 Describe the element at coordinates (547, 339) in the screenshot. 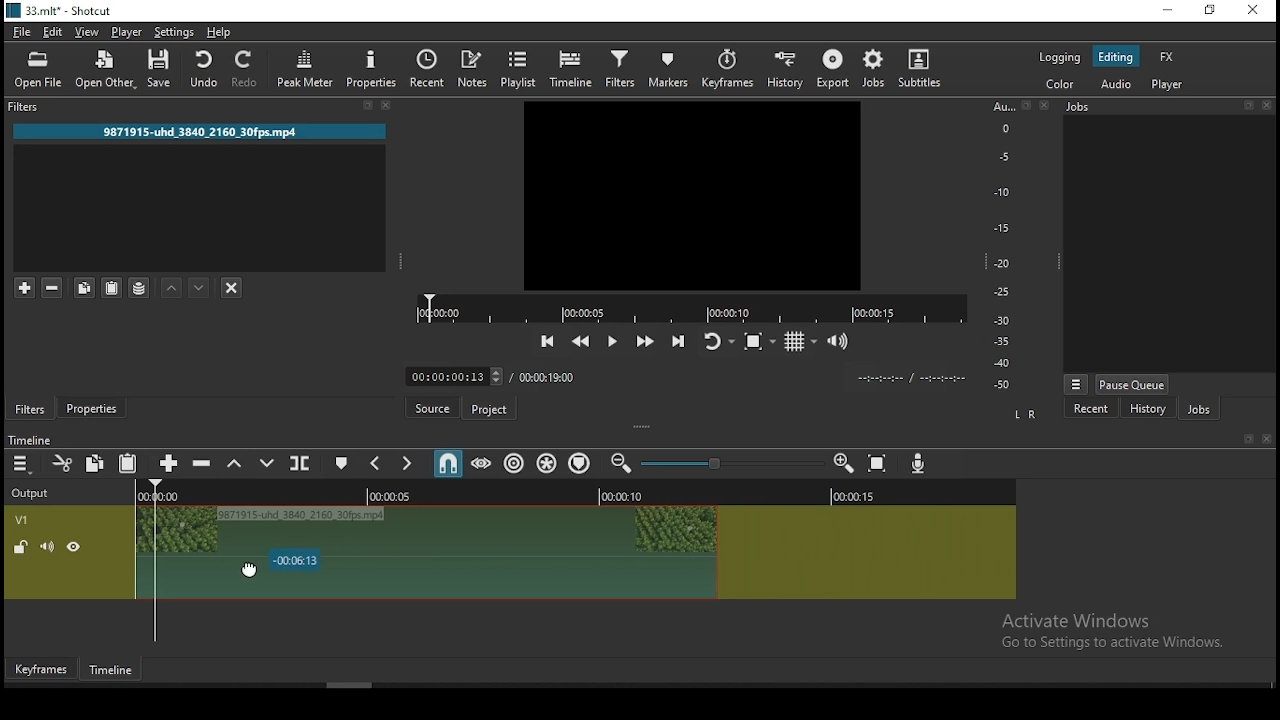

I see `skip to previous point` at that location.